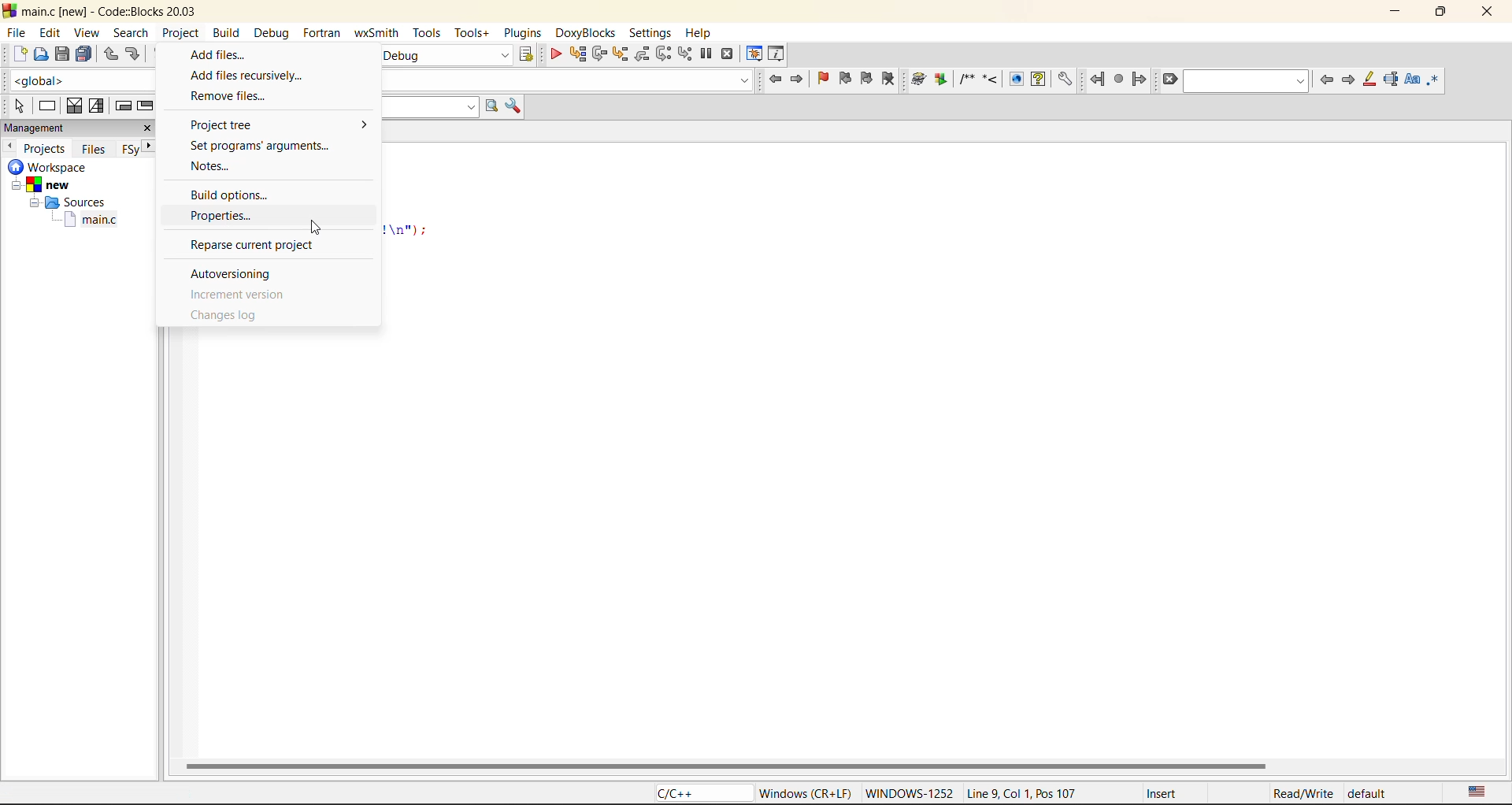 The height and width of the screenshot is (805, 1512). Describe the element at coordinates (14, 34) in the screenshot. I see `file` at that location.